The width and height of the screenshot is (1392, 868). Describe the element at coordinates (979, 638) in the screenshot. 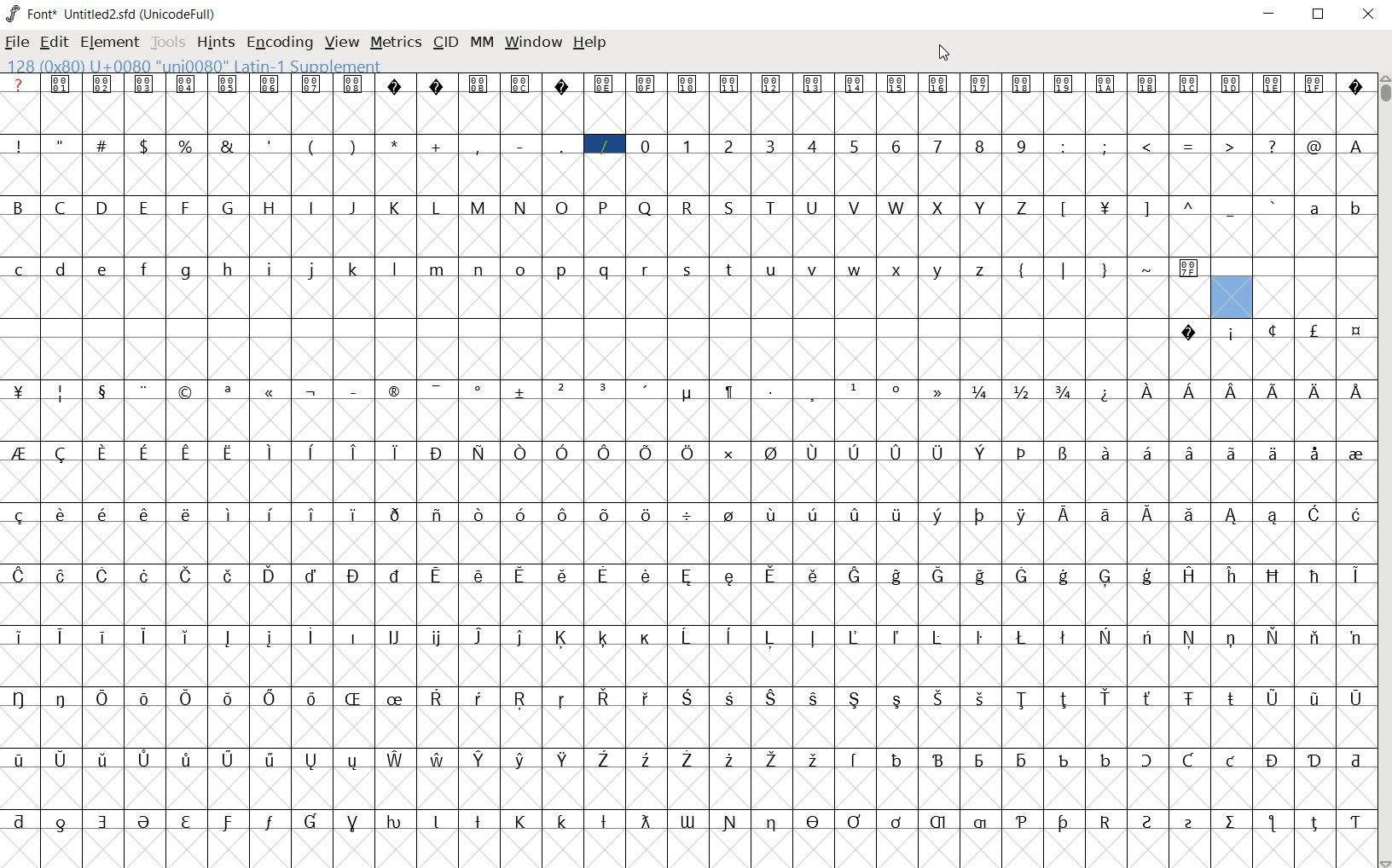

I see `glyph` at that location.